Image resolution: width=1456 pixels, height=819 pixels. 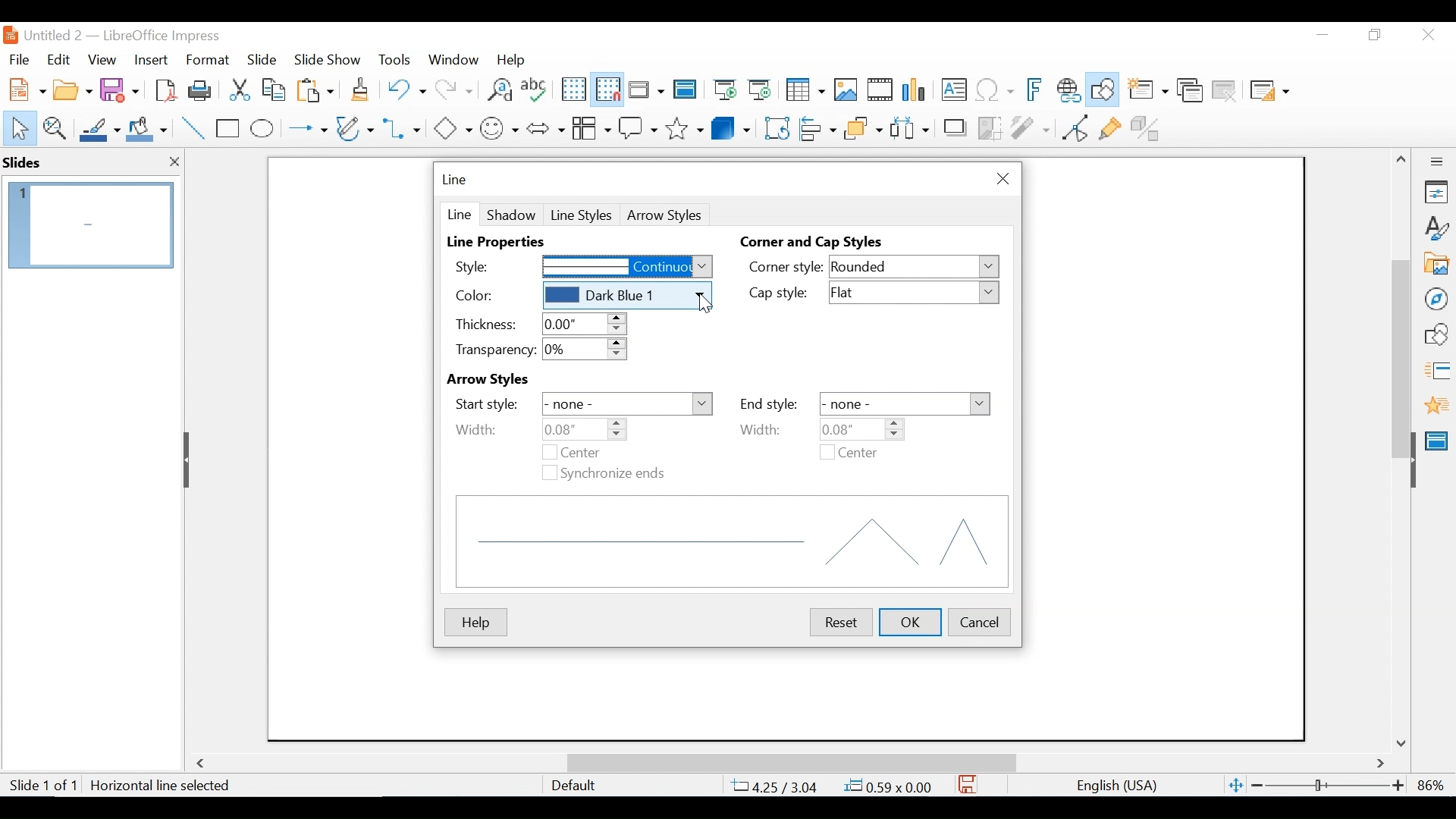 I want to click on Format, so click(x=209, y=60).